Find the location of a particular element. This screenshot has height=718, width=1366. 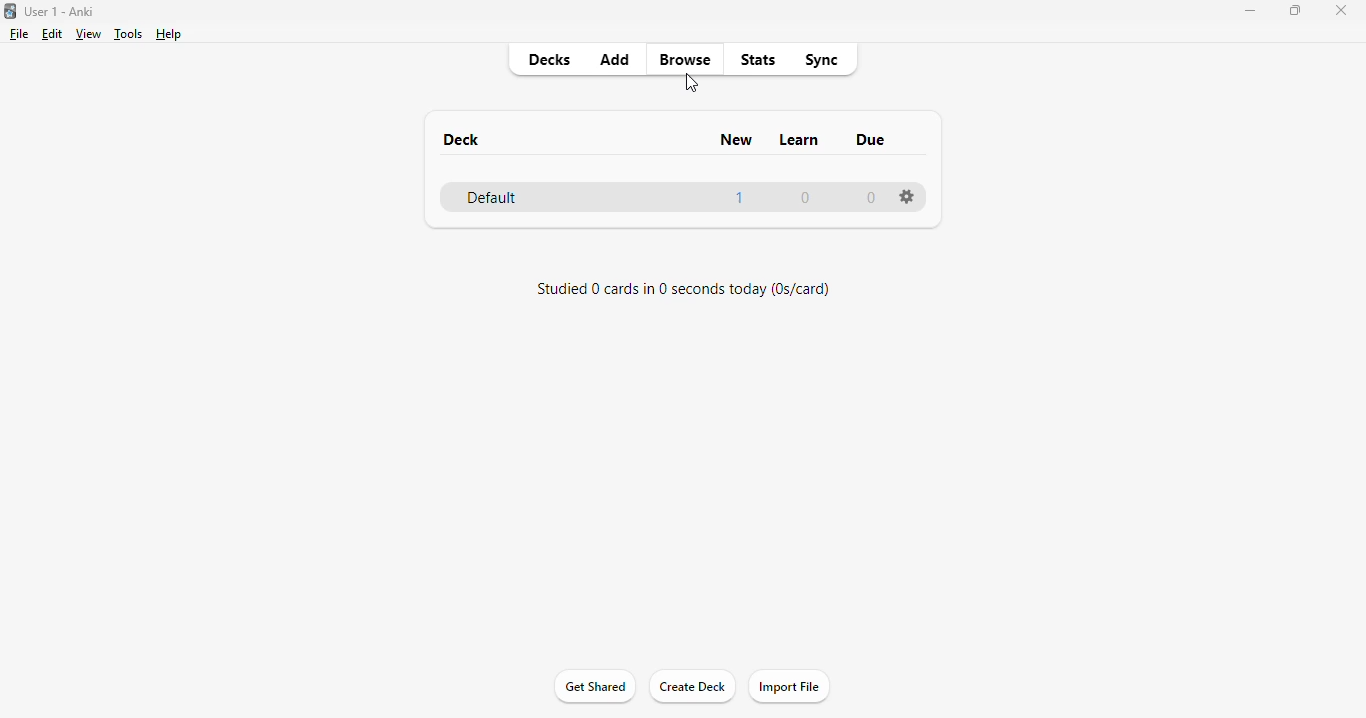

learn is located at coordinates (799, 141).